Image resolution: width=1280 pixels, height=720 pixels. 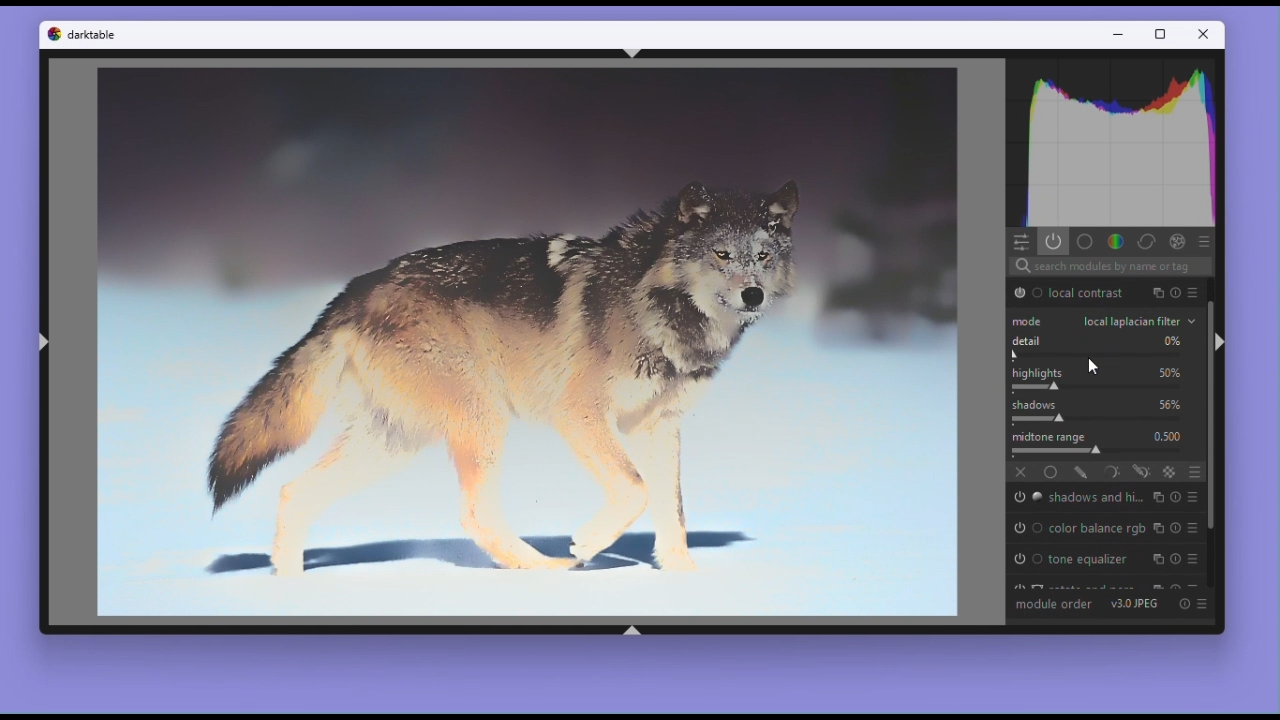 I want to click on maximize, so click(x=1162, y=35).